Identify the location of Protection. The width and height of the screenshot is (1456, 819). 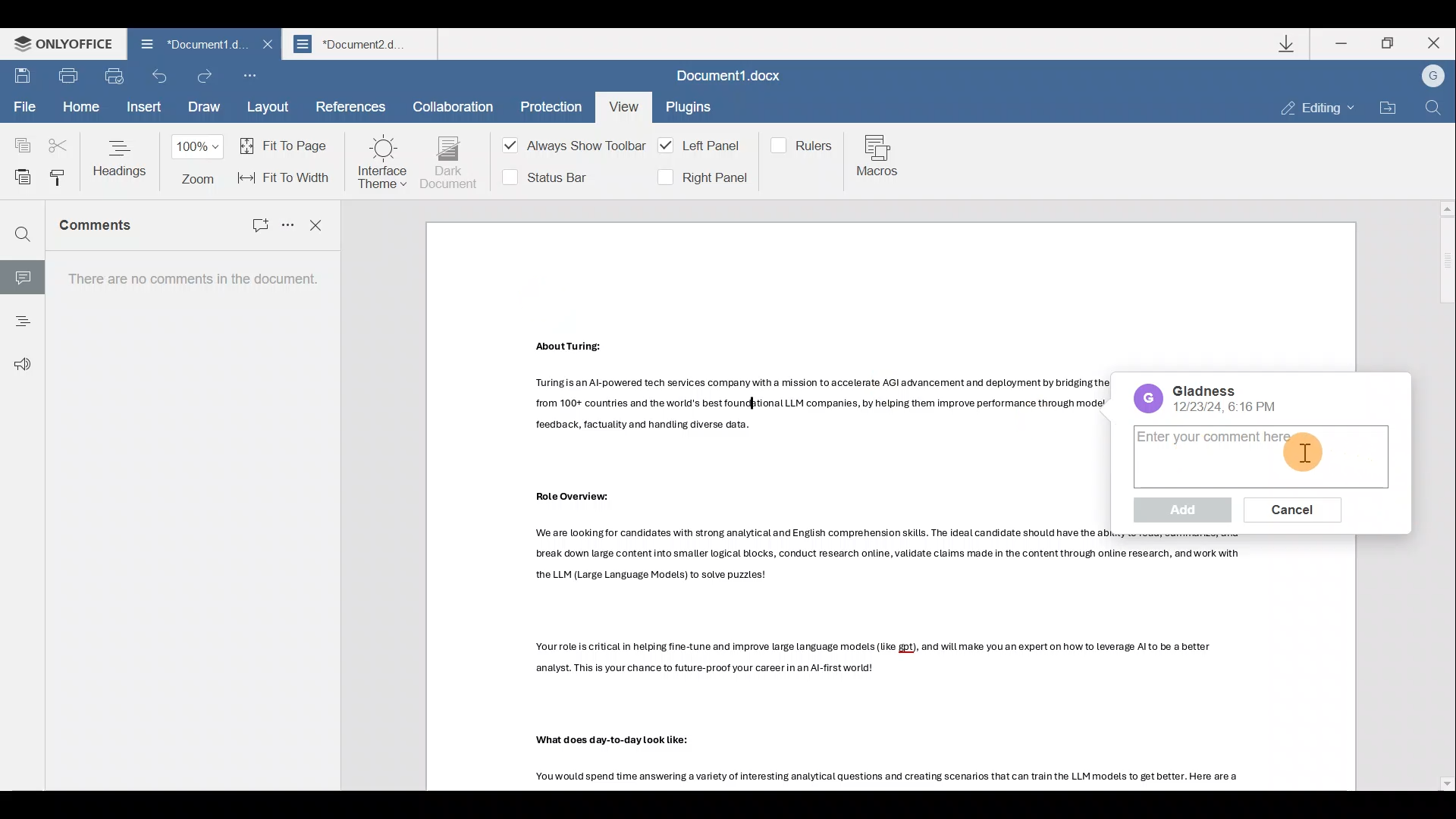
(547, 104).